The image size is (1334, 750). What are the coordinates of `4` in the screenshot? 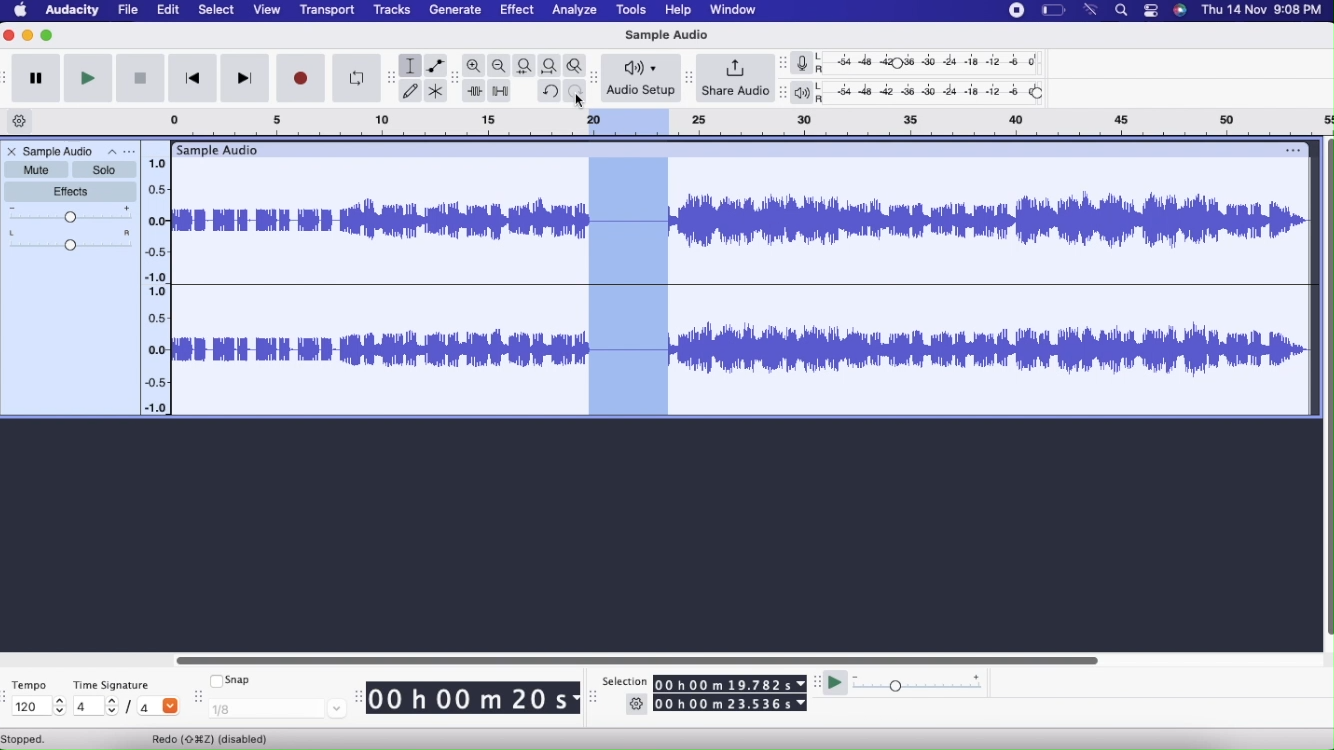 It's located at (98, 707).